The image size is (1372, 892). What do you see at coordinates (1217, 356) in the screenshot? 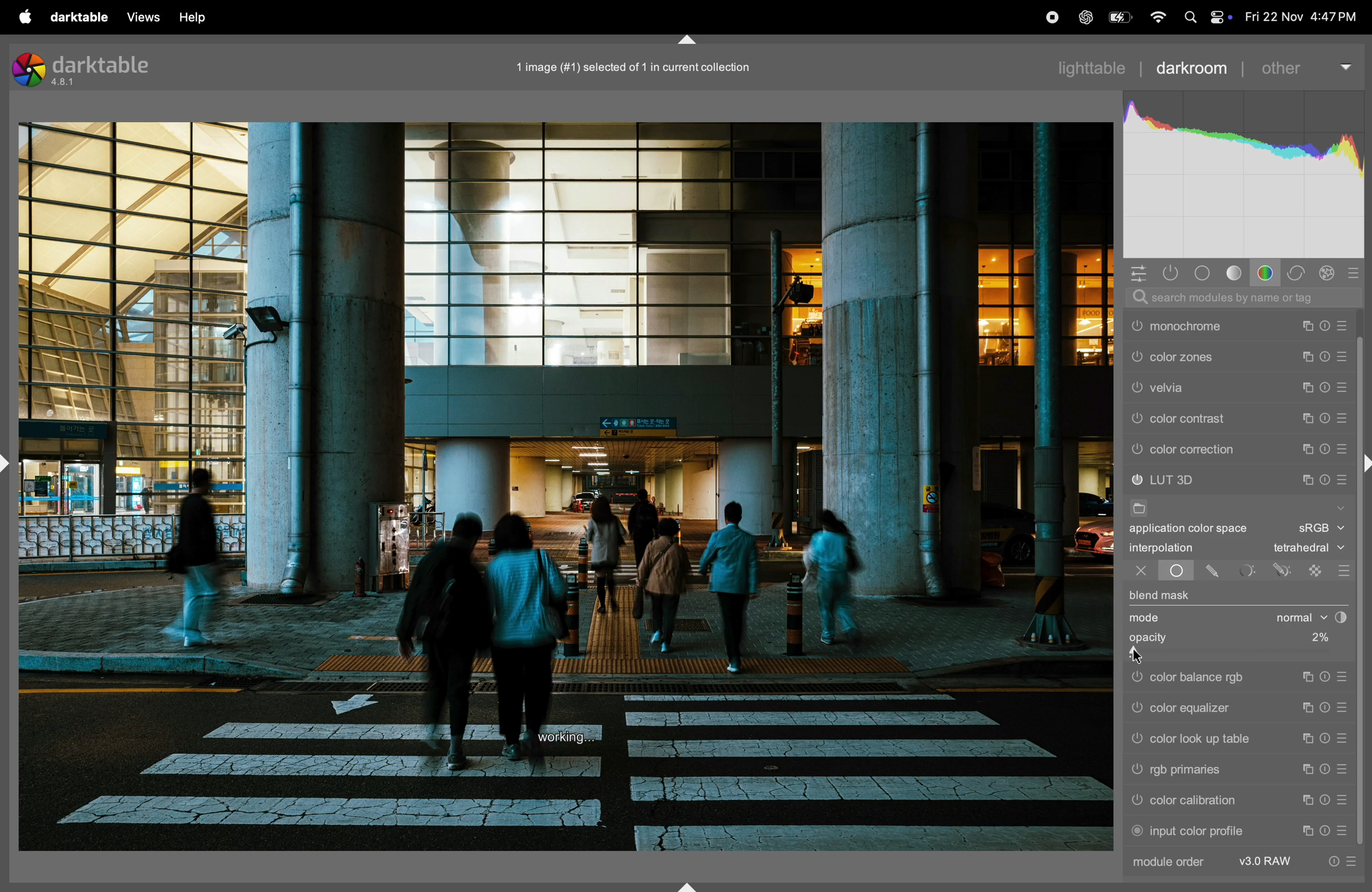
I see `monchrome` at bounding box center [1217, 356].